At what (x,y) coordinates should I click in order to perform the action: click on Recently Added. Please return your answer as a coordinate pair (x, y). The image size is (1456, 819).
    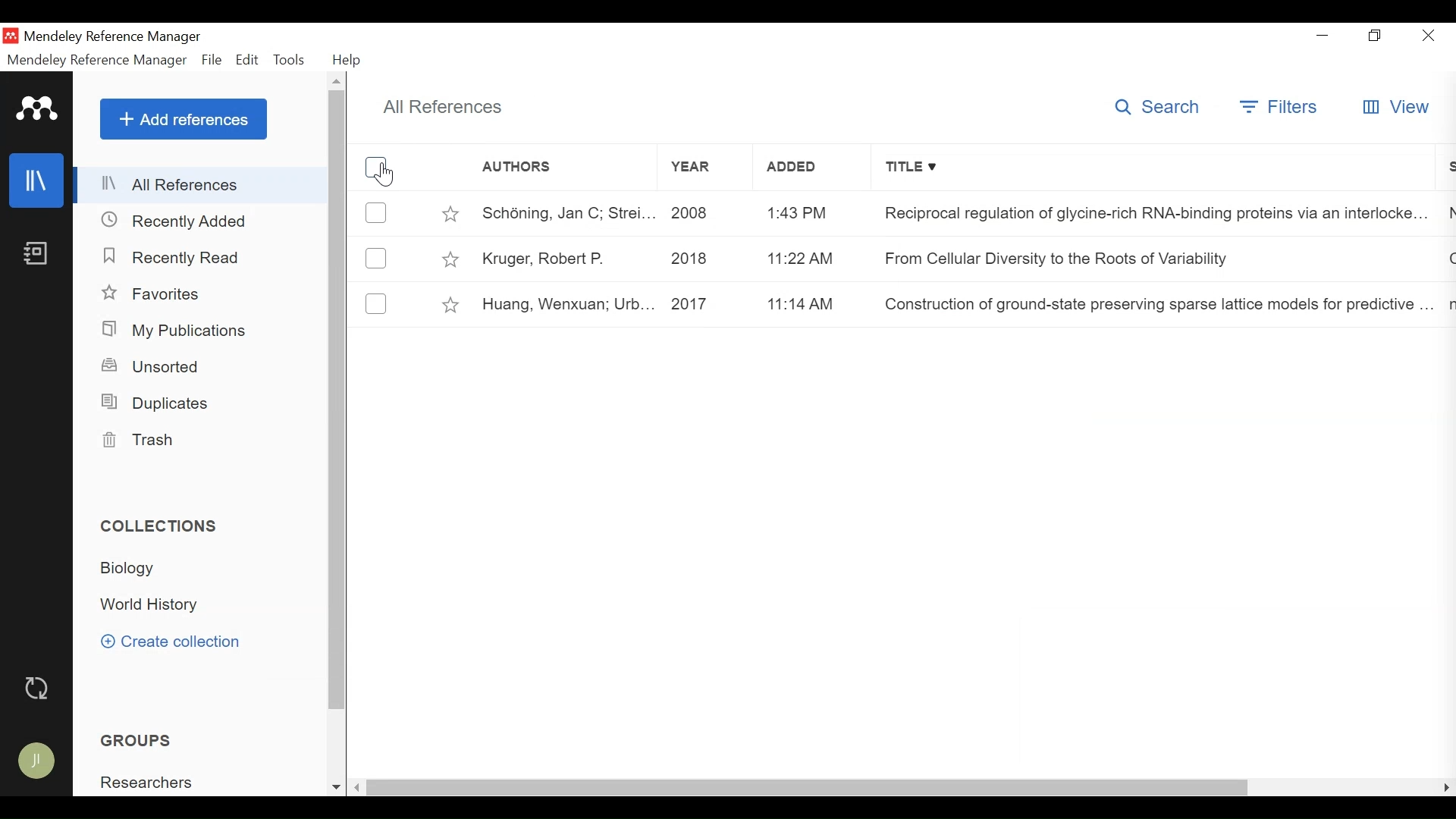
    Looking at the image, I should click on (174, 221).